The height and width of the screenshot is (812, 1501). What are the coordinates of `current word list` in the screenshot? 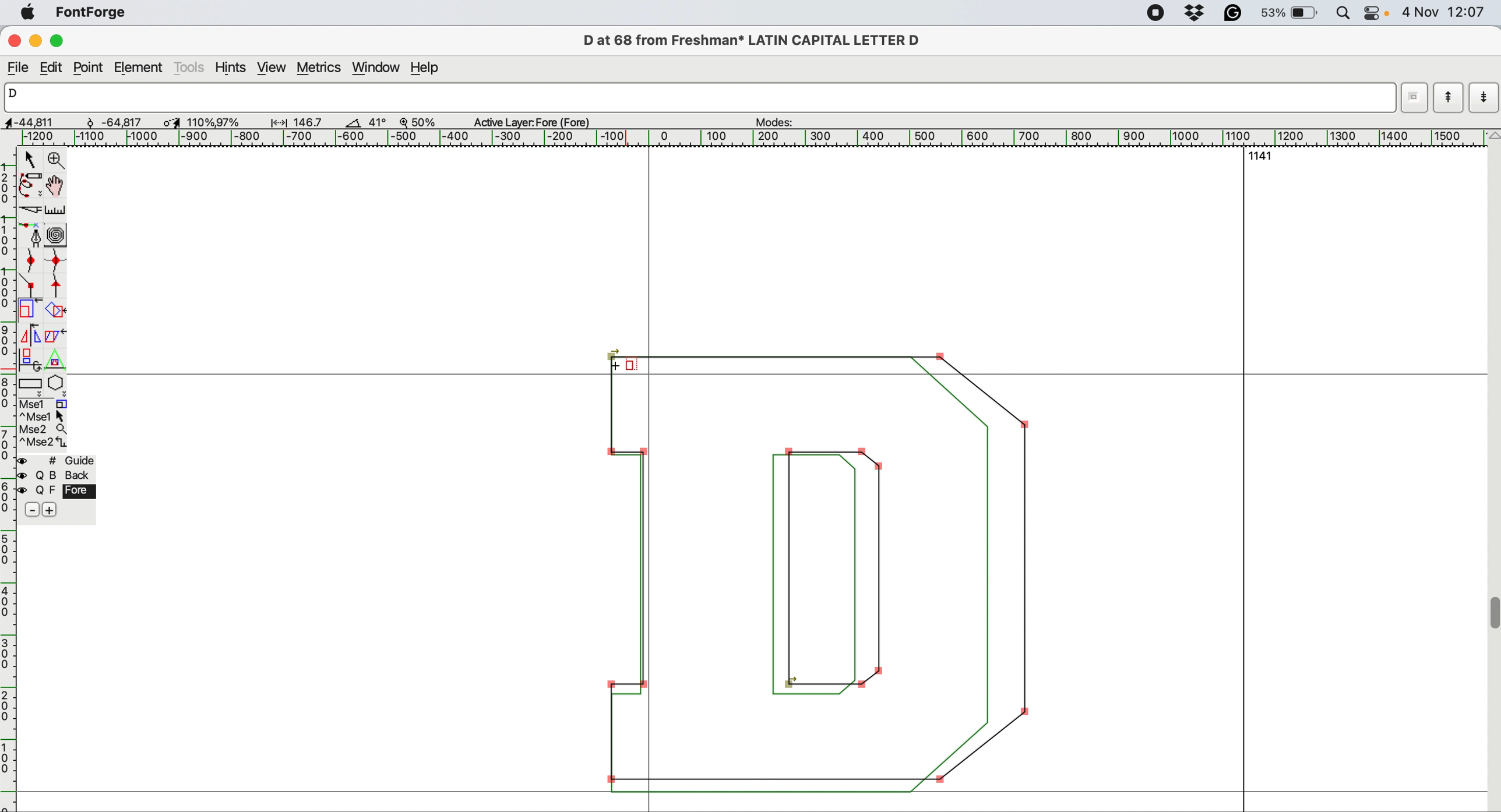 It's located at (1411, 101).